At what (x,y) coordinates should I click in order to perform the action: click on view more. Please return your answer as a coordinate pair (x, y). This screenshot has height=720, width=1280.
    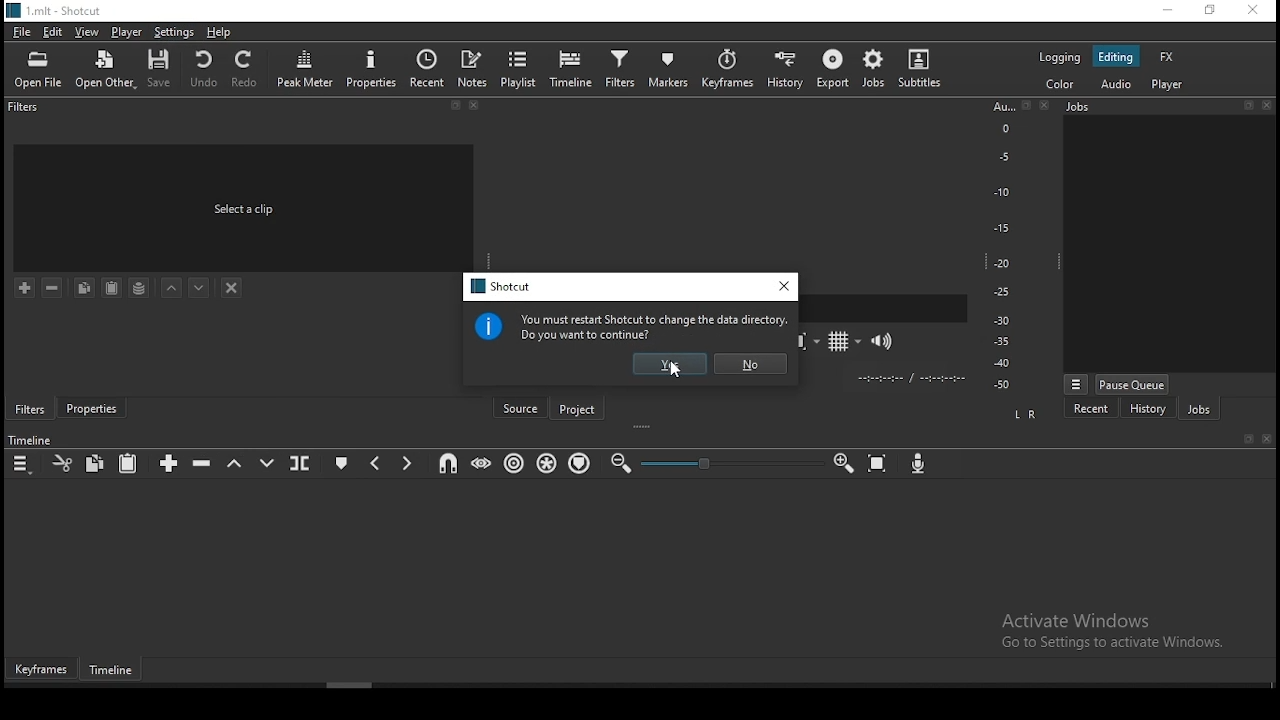
    Looking at the image, I should click on (1075, 383).